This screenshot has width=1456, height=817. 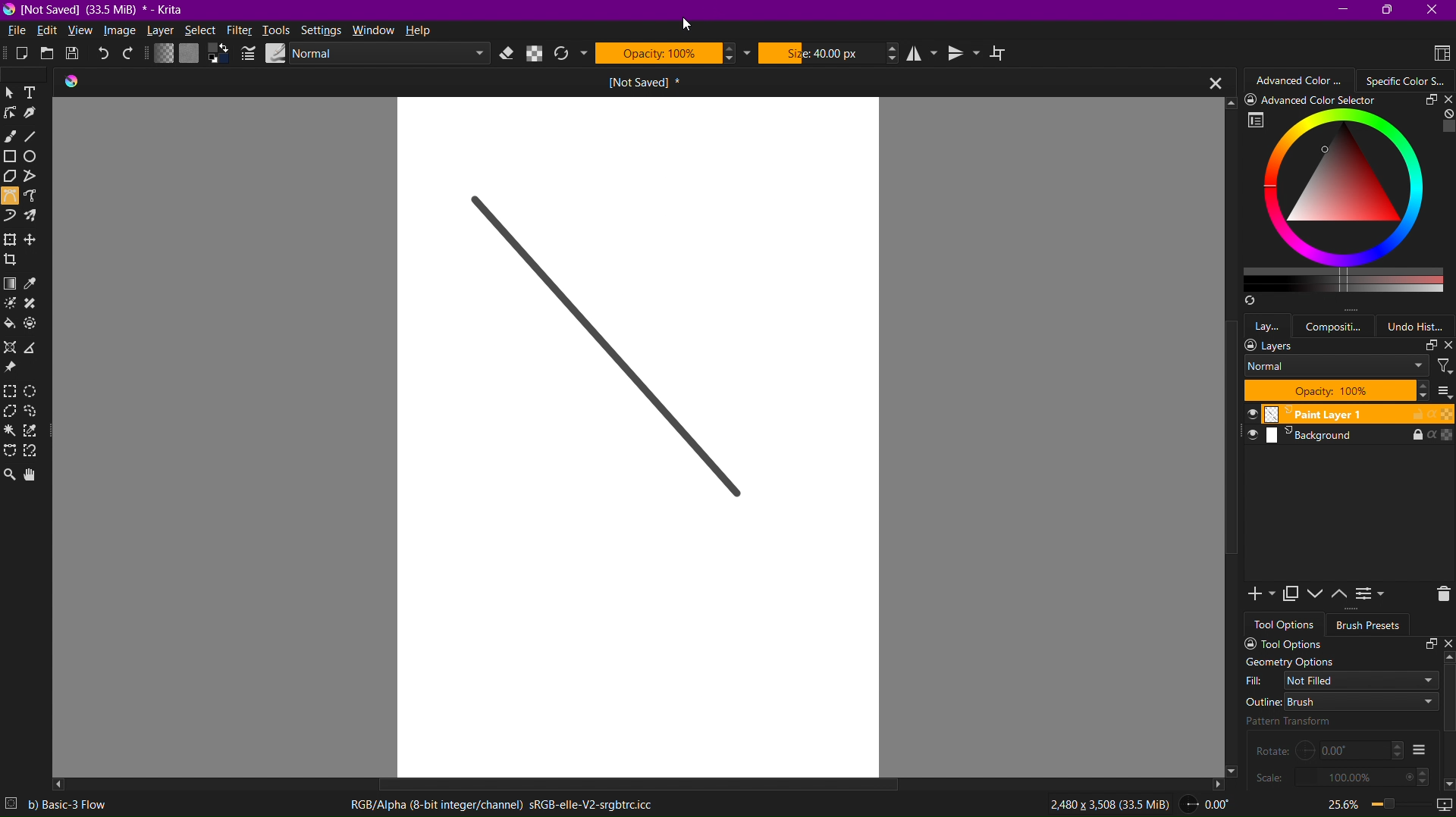 What do you see at coordinates (11, 93) in the screenshot?
I see `SelectShapes Tool` at bounding box center [11, 93].